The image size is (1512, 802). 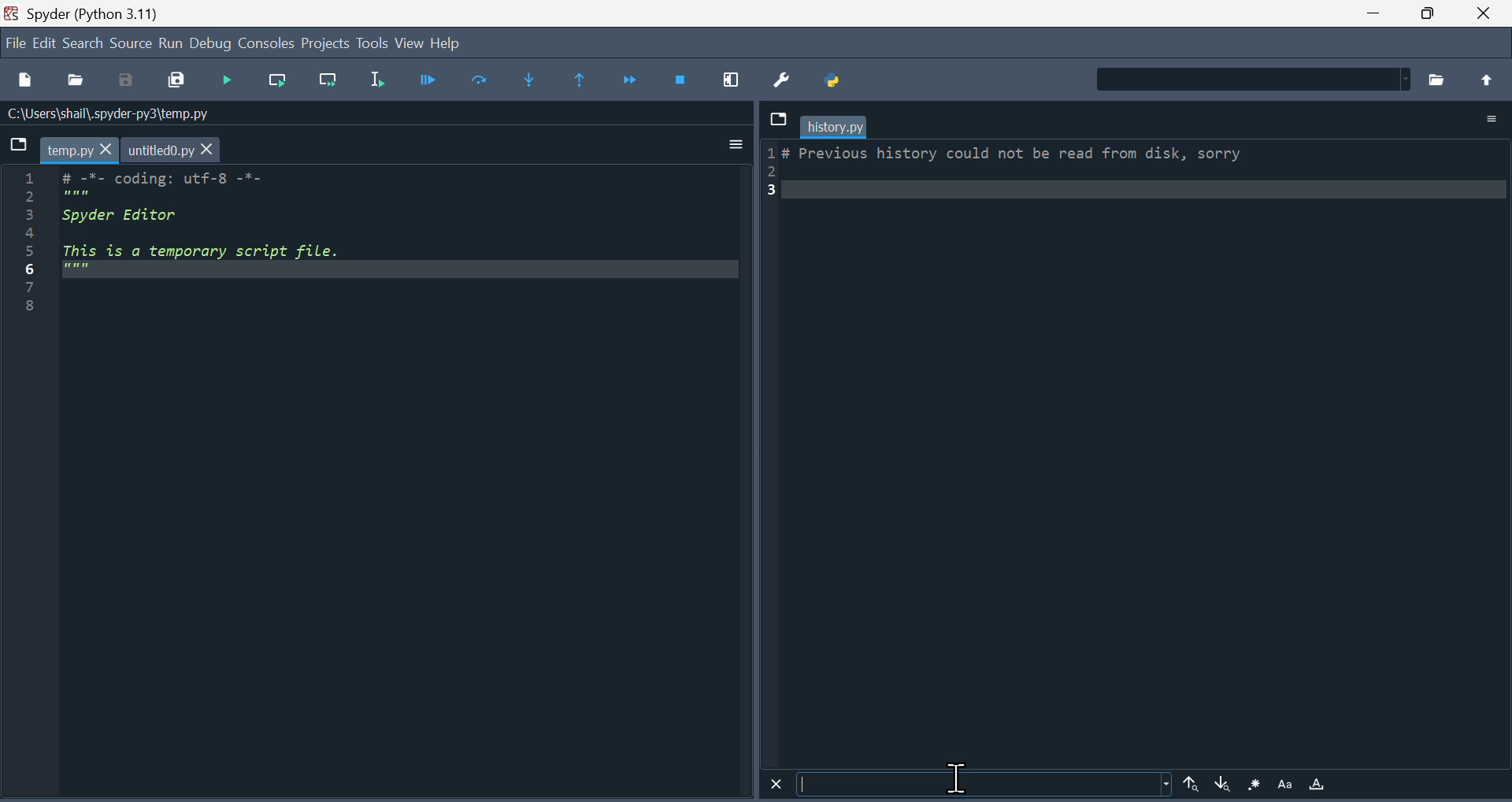 What do you see at coordinates (1321, 787) in the screenshot?
I see `Highlight` at bounding box center [1321, 787].